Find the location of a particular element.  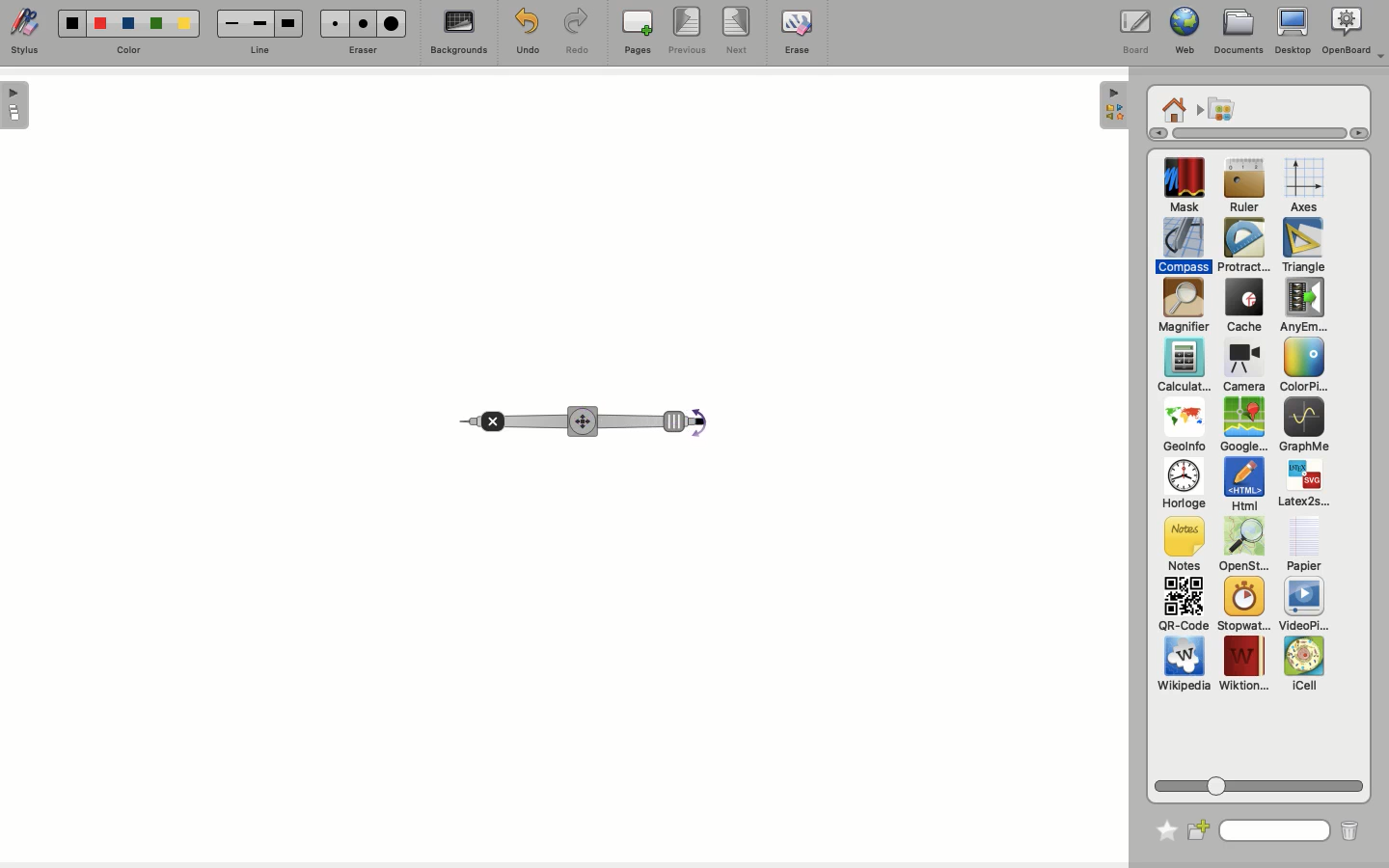

color1 is located at coordinates (69, 21).